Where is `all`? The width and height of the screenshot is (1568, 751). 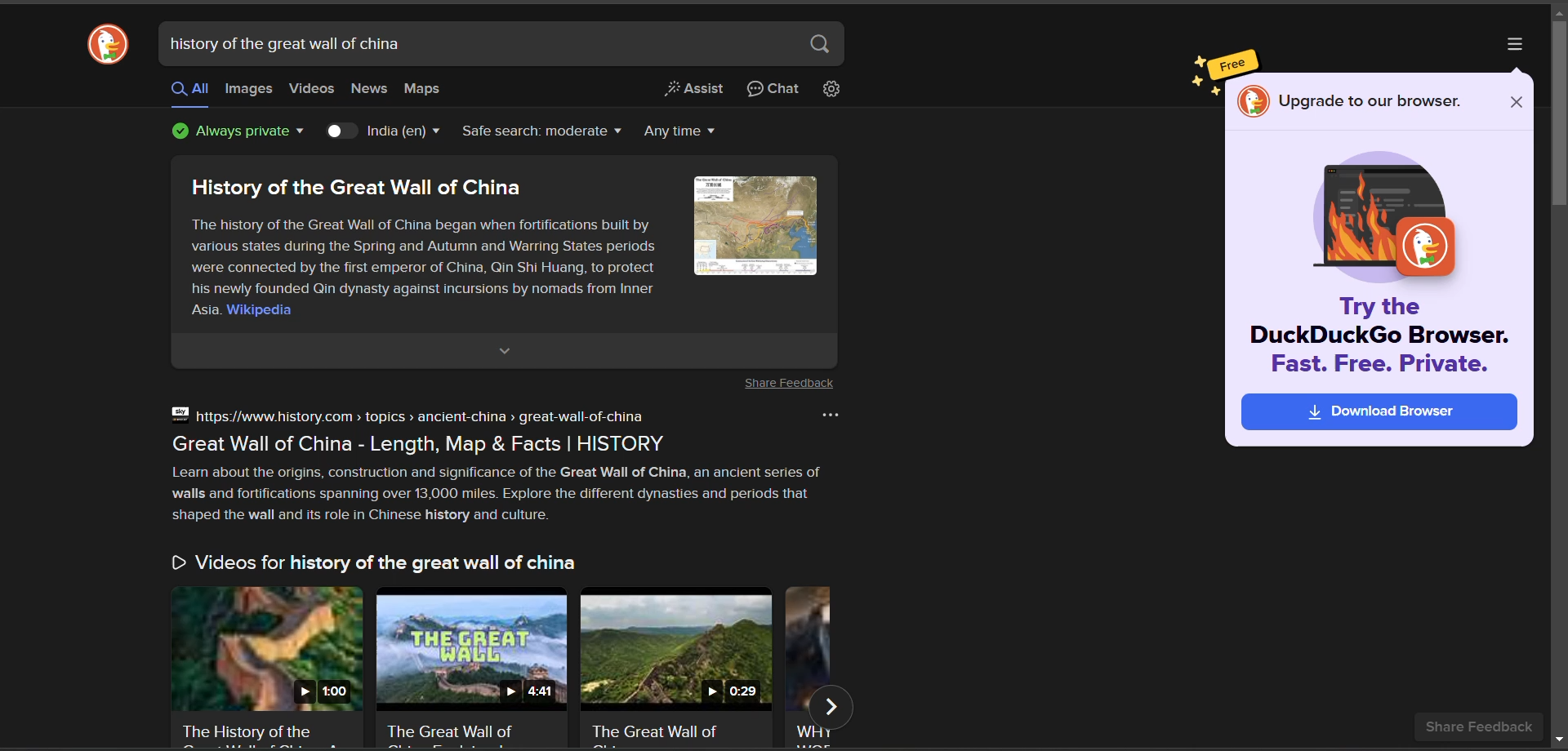
all is located at coordinates (191, 92).